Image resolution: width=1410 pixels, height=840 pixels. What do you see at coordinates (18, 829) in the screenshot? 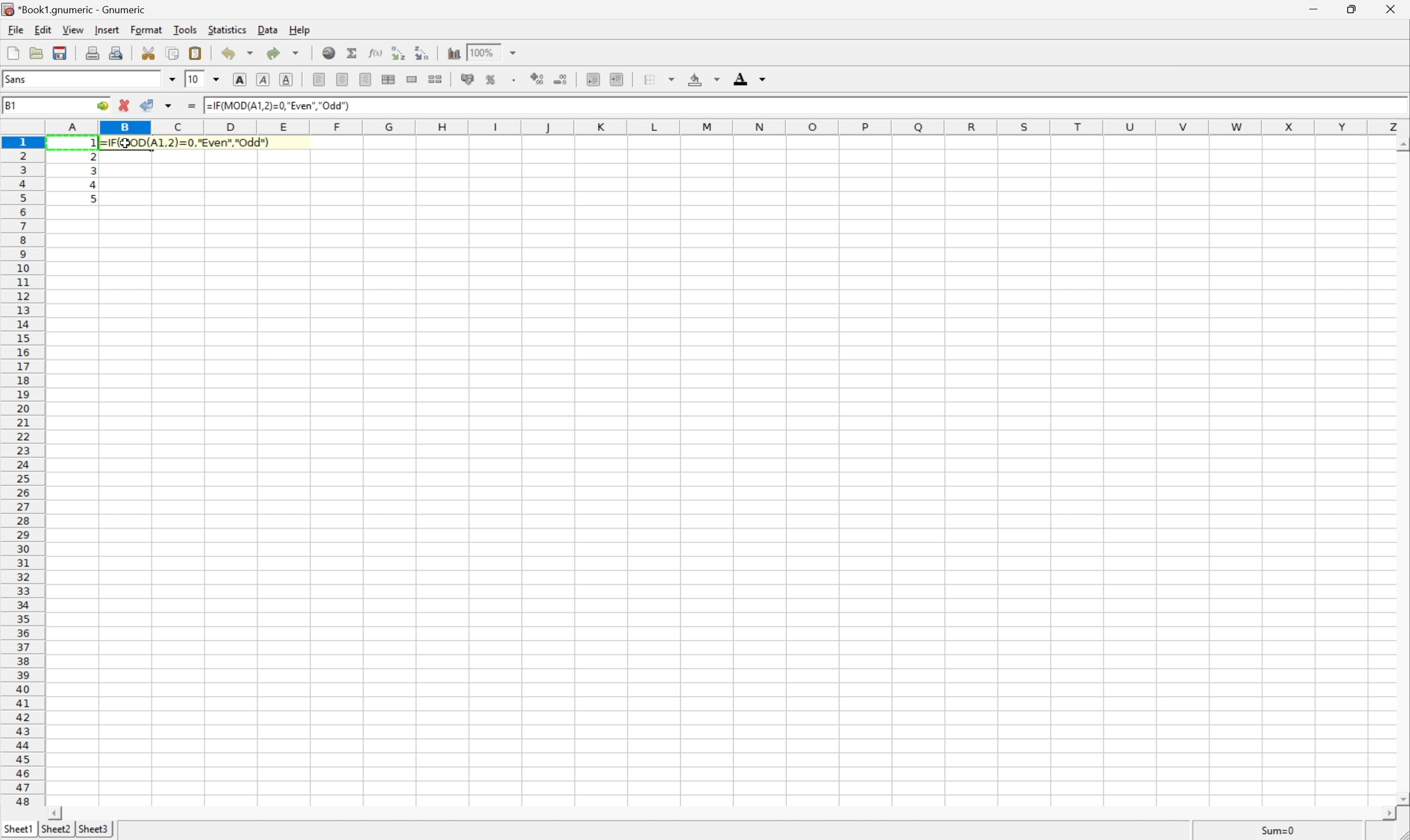
I see `Sheet1` at bounding box center [18, 829].